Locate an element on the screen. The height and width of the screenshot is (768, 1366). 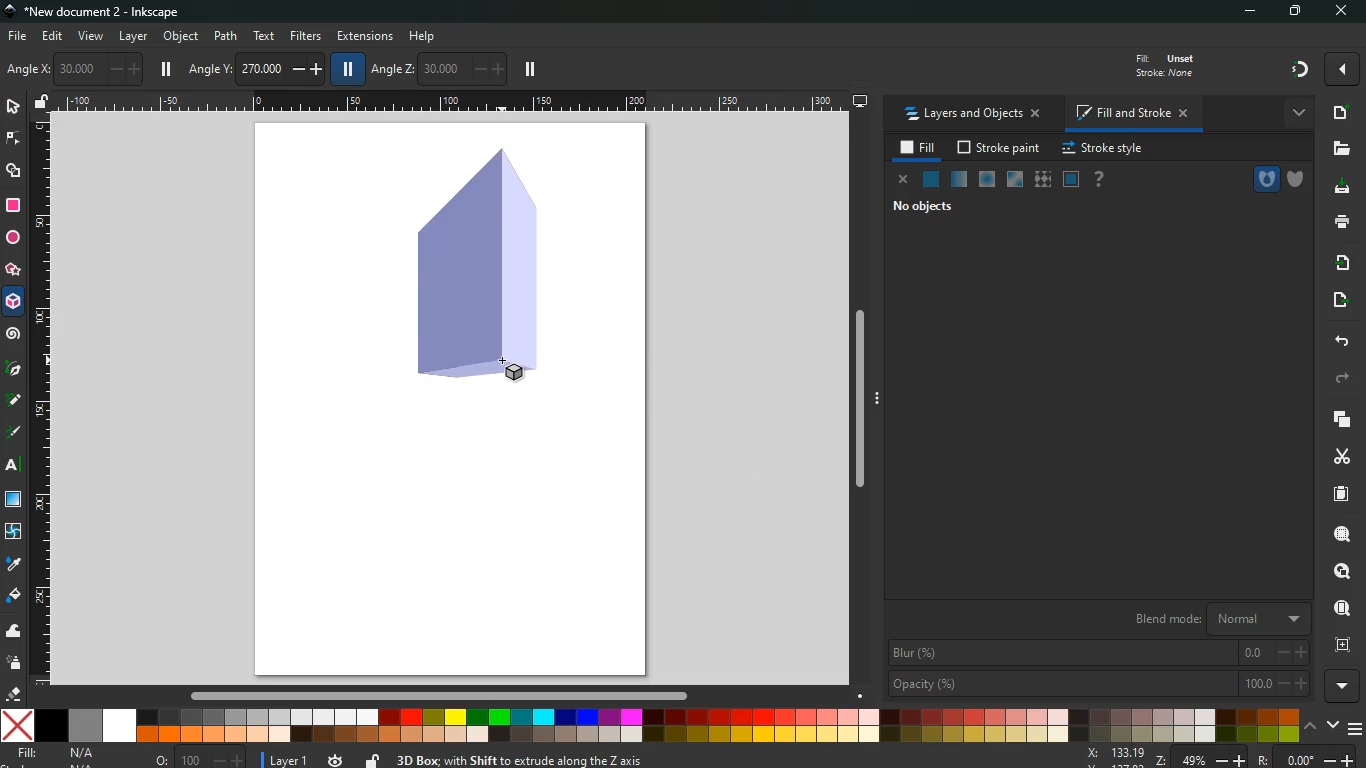
note is located at coordinates (16, 399).